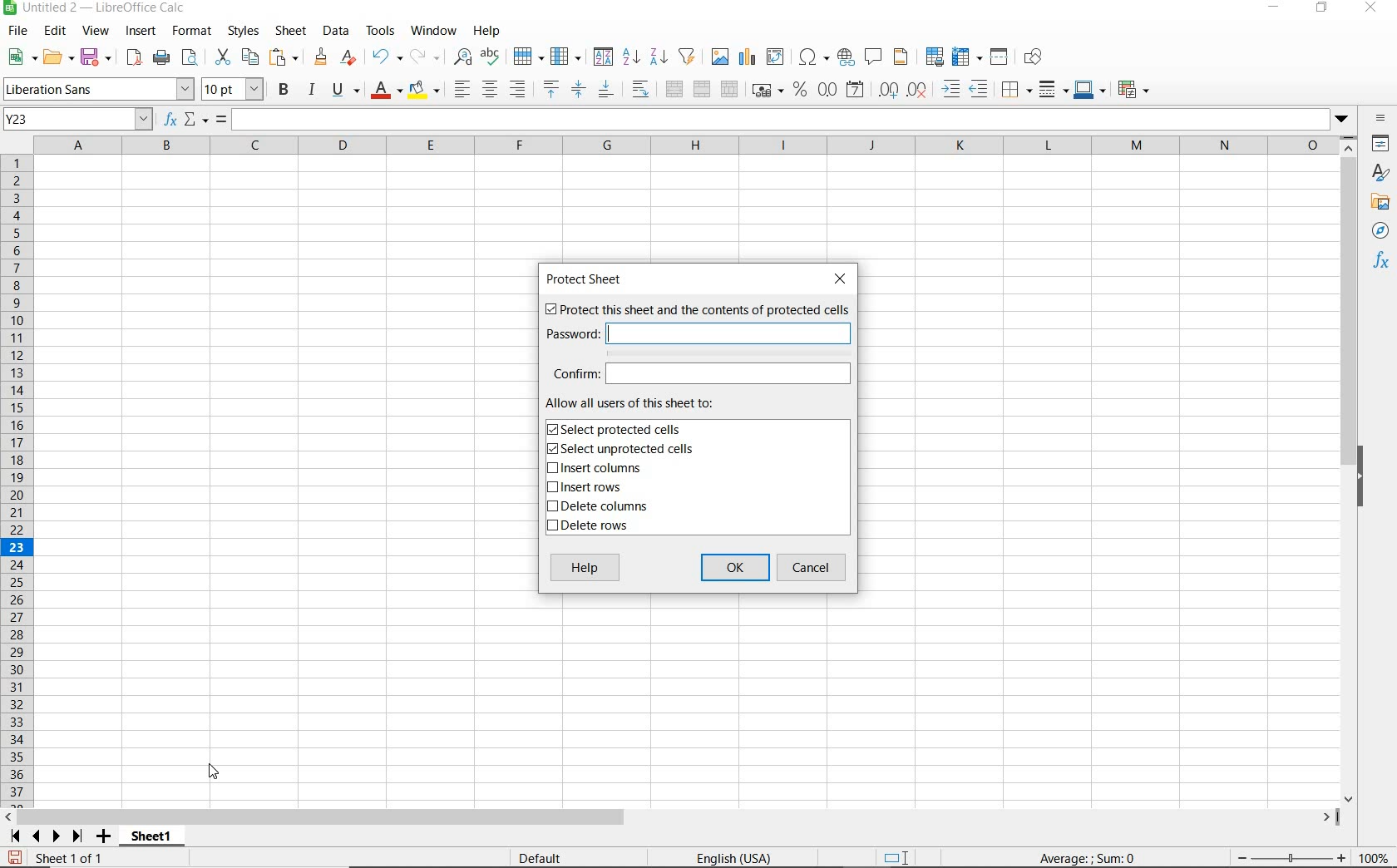 Image resolution: width=1397 pixels, height=868 pixels. Describe the element at coordinates (133, 59) in the screenshot. I see `EXPORT DIRECTLY AS PDF` at that location.